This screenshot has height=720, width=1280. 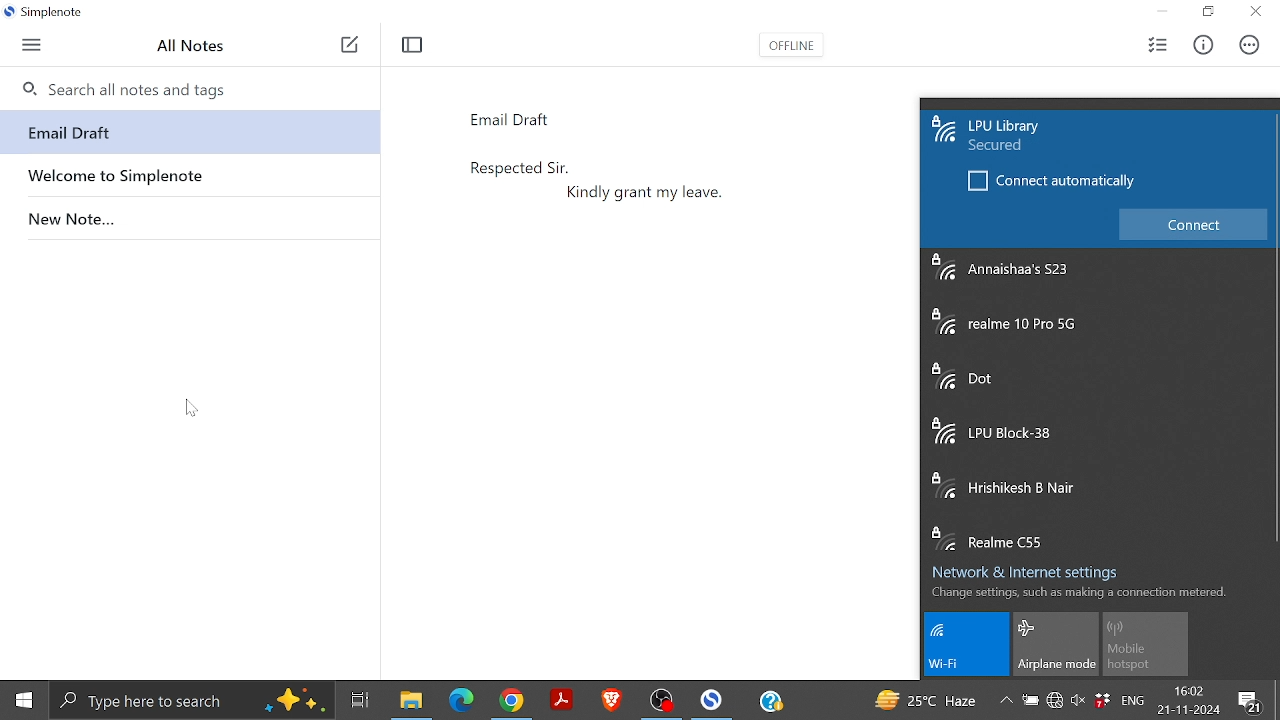 What do you see at coordinates (926, 700) in the screenshot?
I see `Weather` at bounding box center [926, 700].